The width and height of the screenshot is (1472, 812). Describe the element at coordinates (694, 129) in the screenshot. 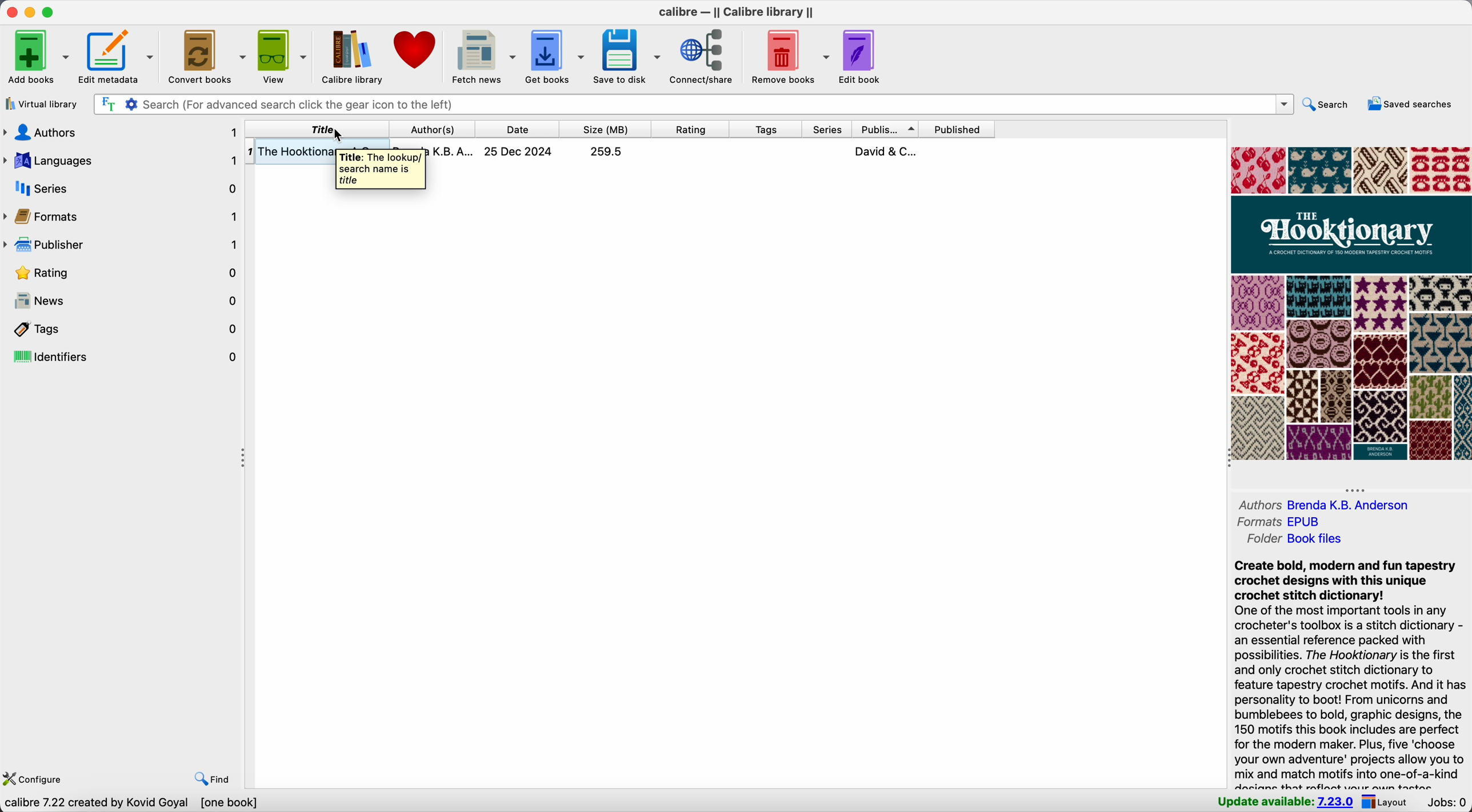

I see `rating` at that location.